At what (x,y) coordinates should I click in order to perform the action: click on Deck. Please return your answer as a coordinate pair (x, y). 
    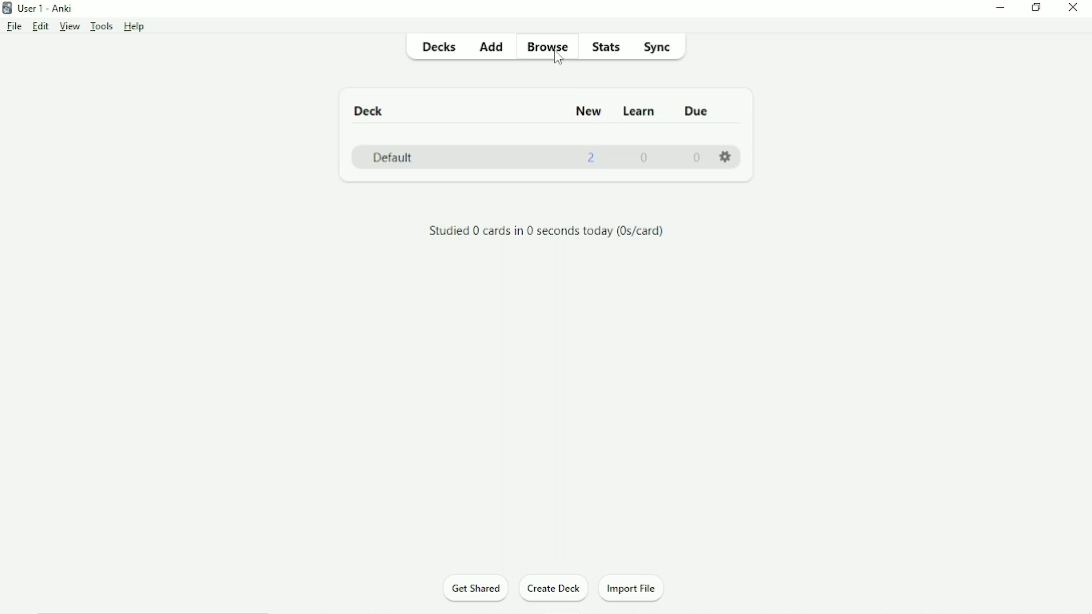
    Looking at the image, I should click on (368, 111).